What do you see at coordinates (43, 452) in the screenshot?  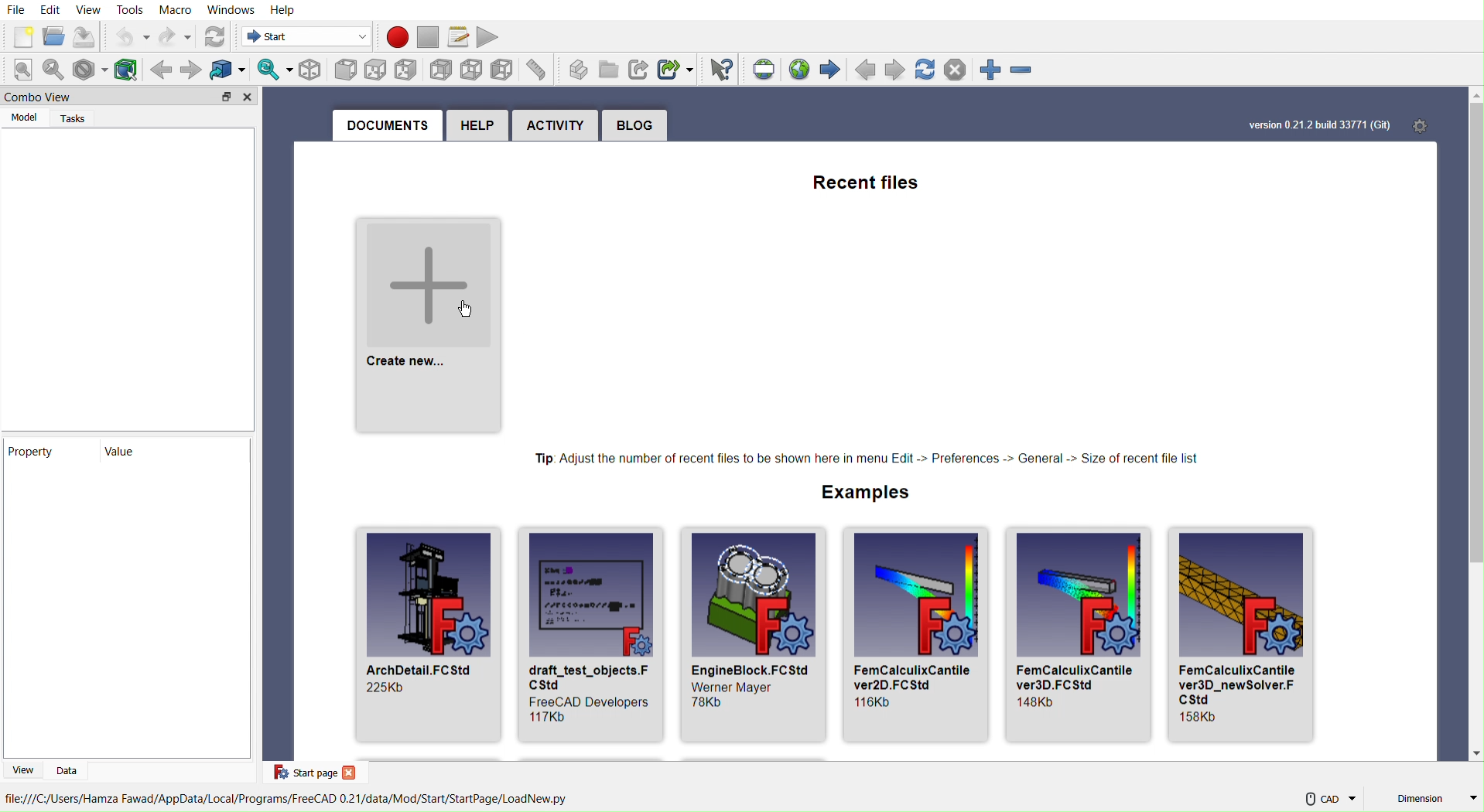 I see `Property` at bounding box center [43, 452].